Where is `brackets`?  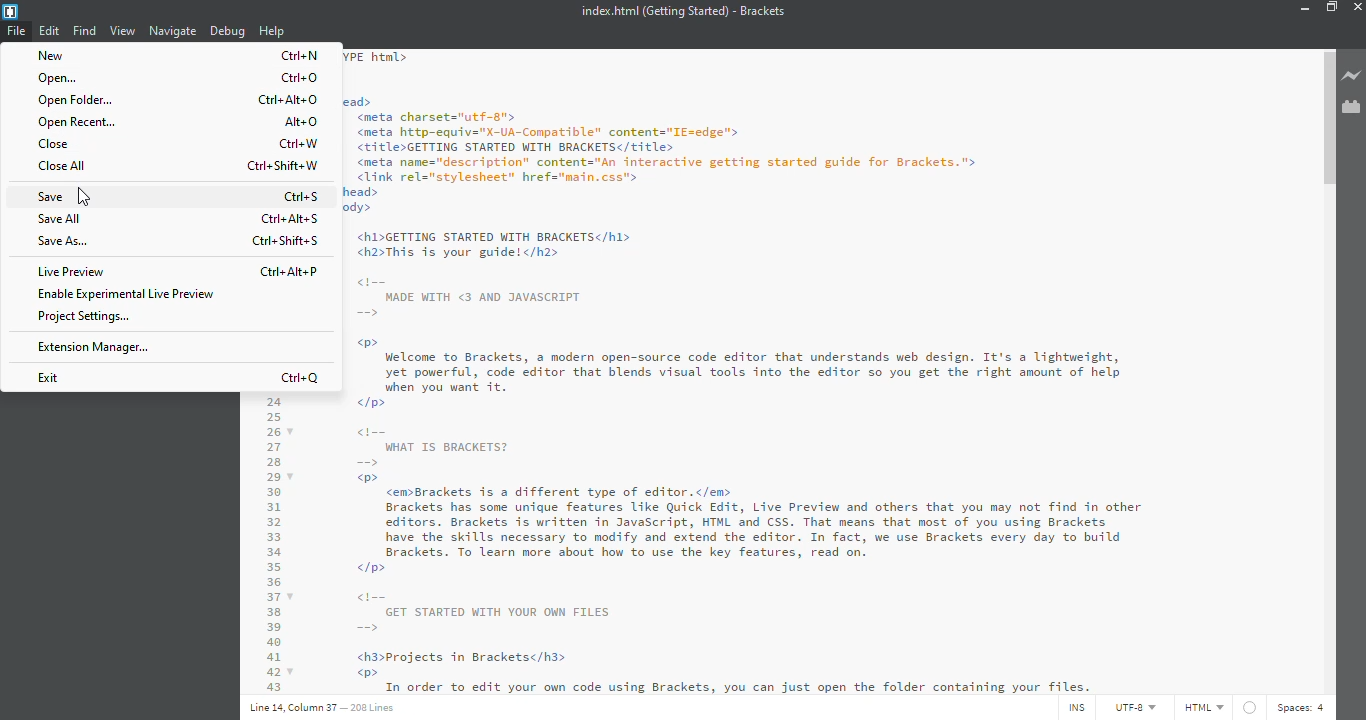
brackets is located at coordinates (10, 12).